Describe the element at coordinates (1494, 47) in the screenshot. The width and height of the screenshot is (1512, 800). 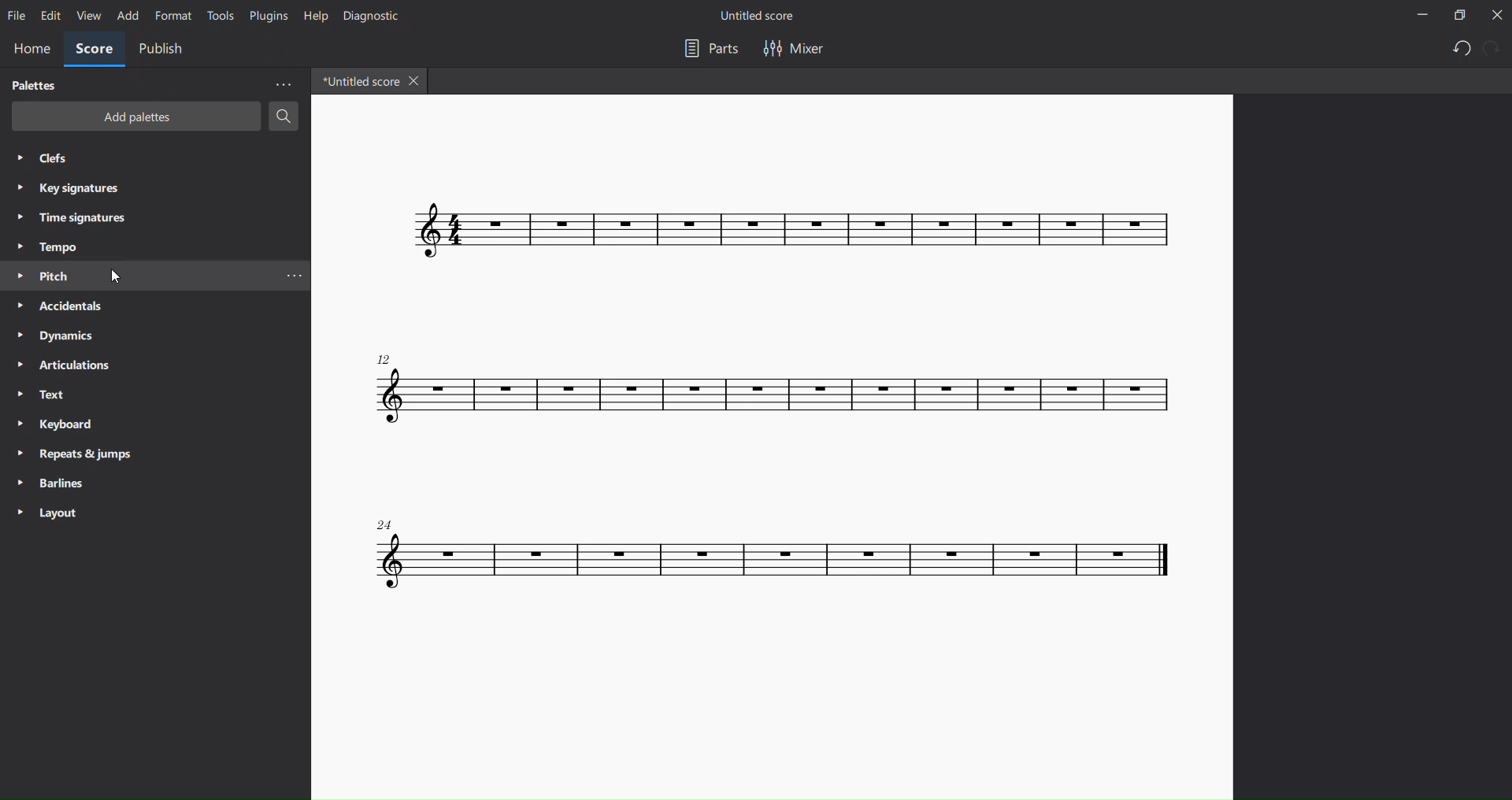
I see `redo` at that location.